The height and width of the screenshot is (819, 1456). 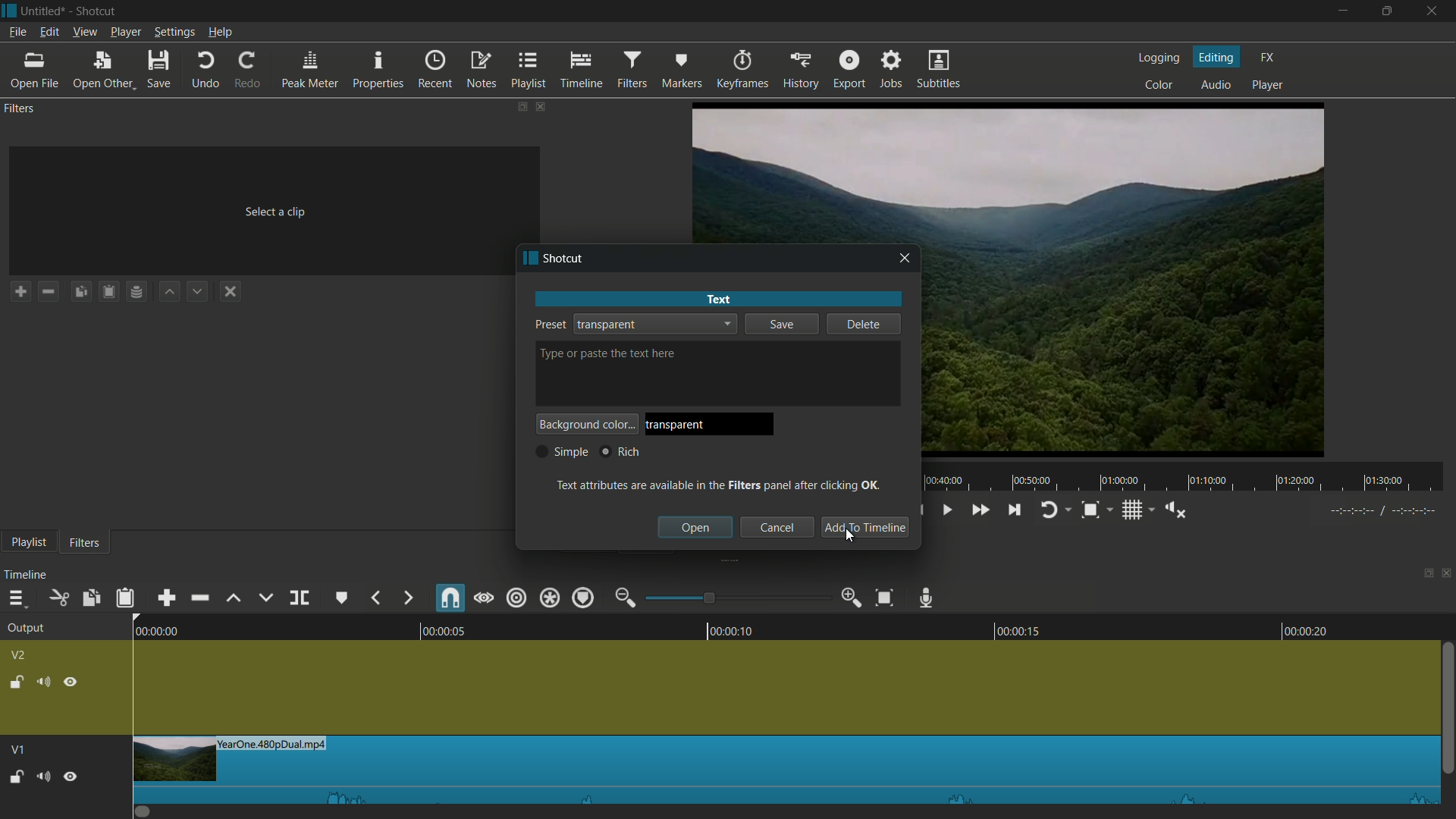 What do you see at coordinates (43, 11) in the screenshot?
I see `project name` at bounding box center [43, 11].